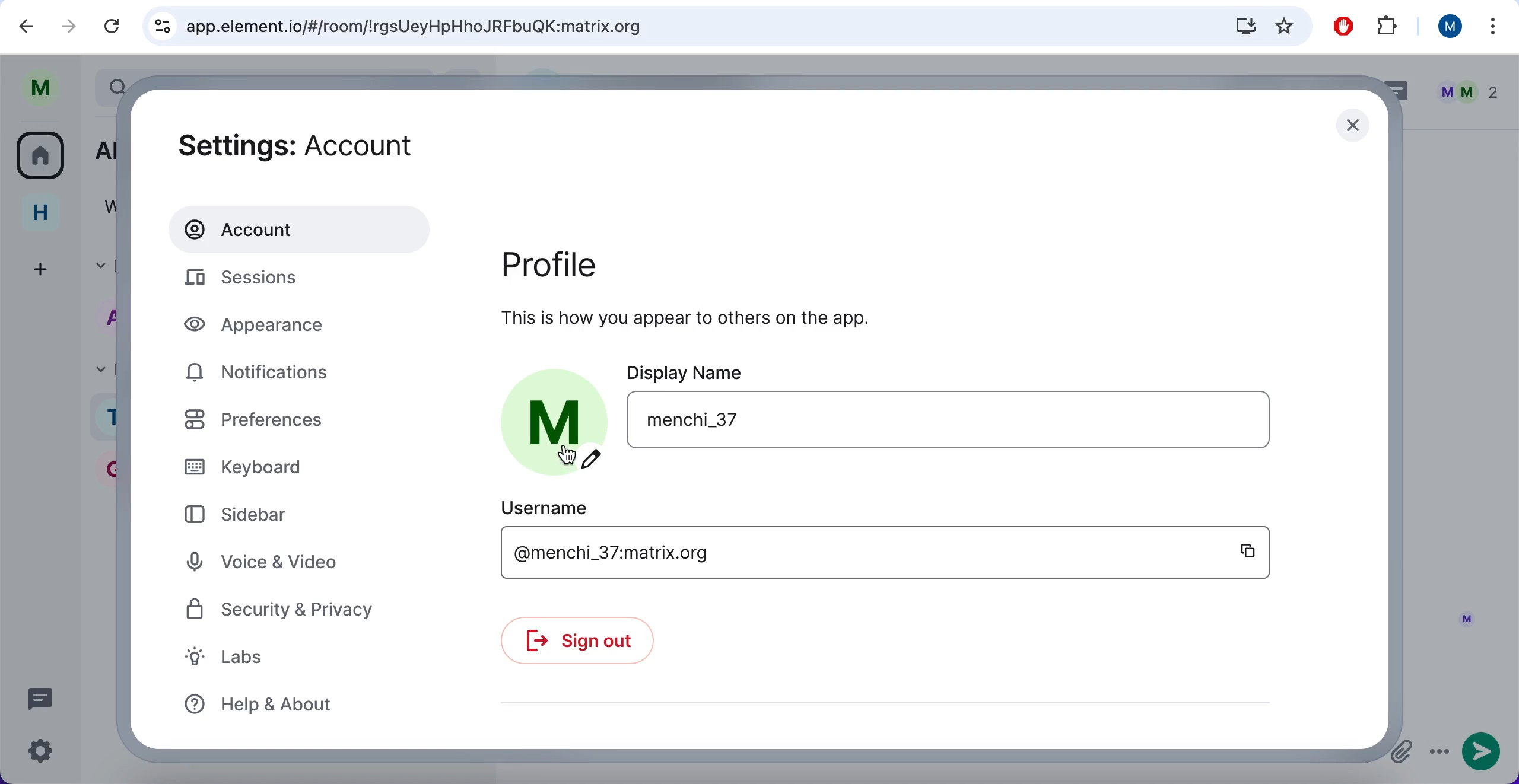 This screenshot has height=784, width=1519. Describe the element at coordinates (110, 27) in the screenshot. I see `reload current page` at that location.